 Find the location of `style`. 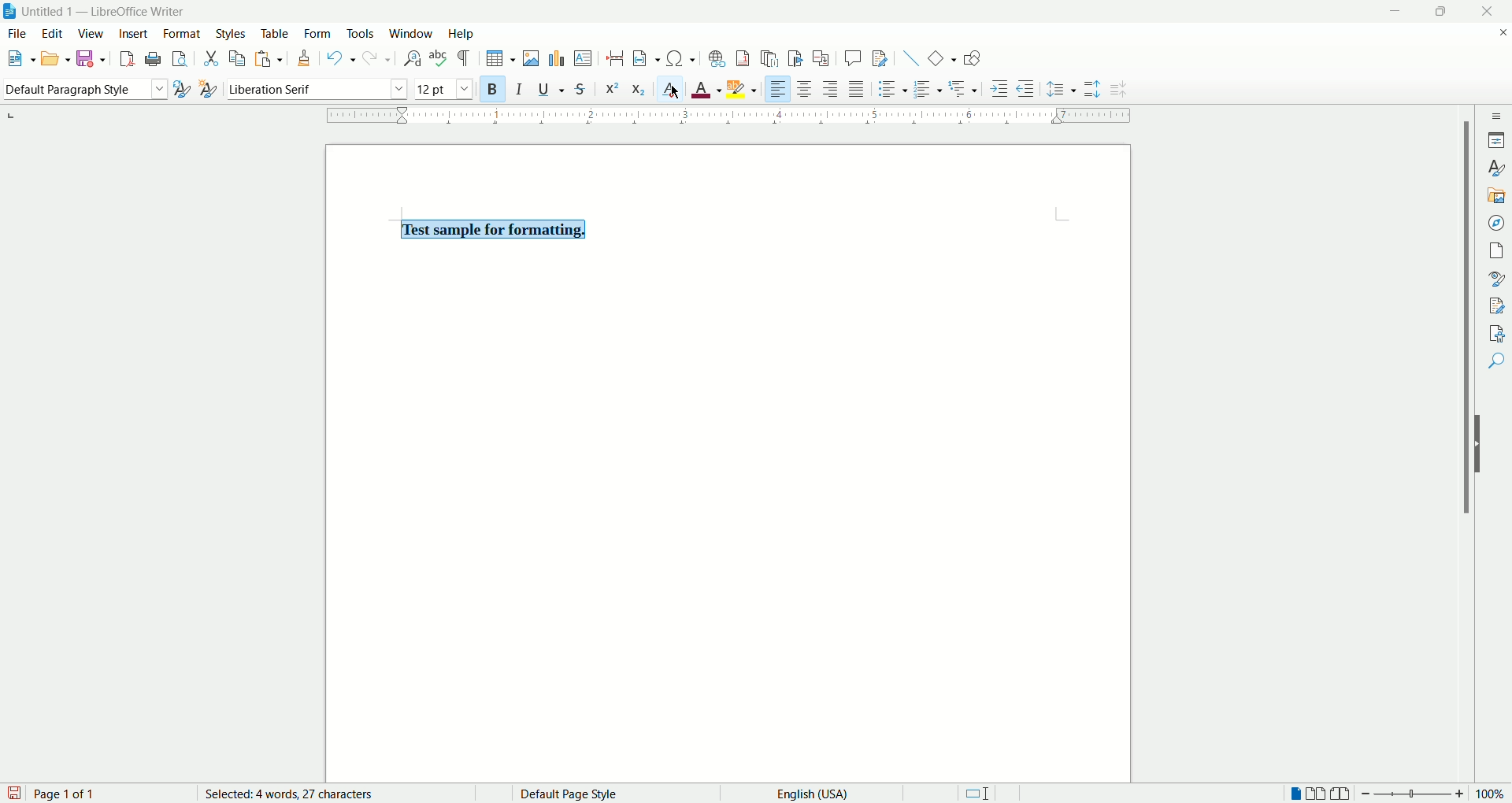

style is located at coordinates (1496, 166).